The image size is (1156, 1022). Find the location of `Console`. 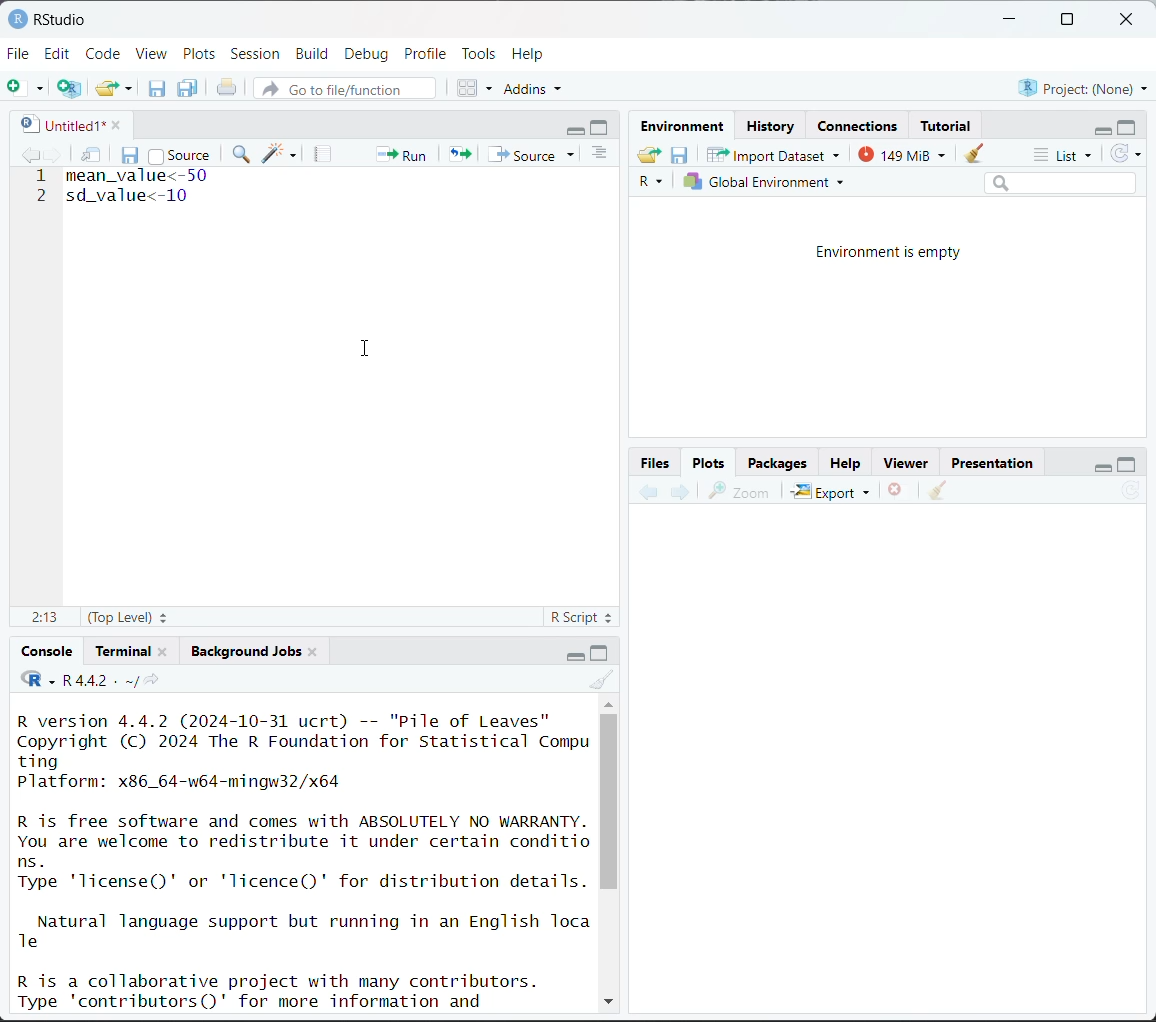

Console is located at coordinates (48, 651).